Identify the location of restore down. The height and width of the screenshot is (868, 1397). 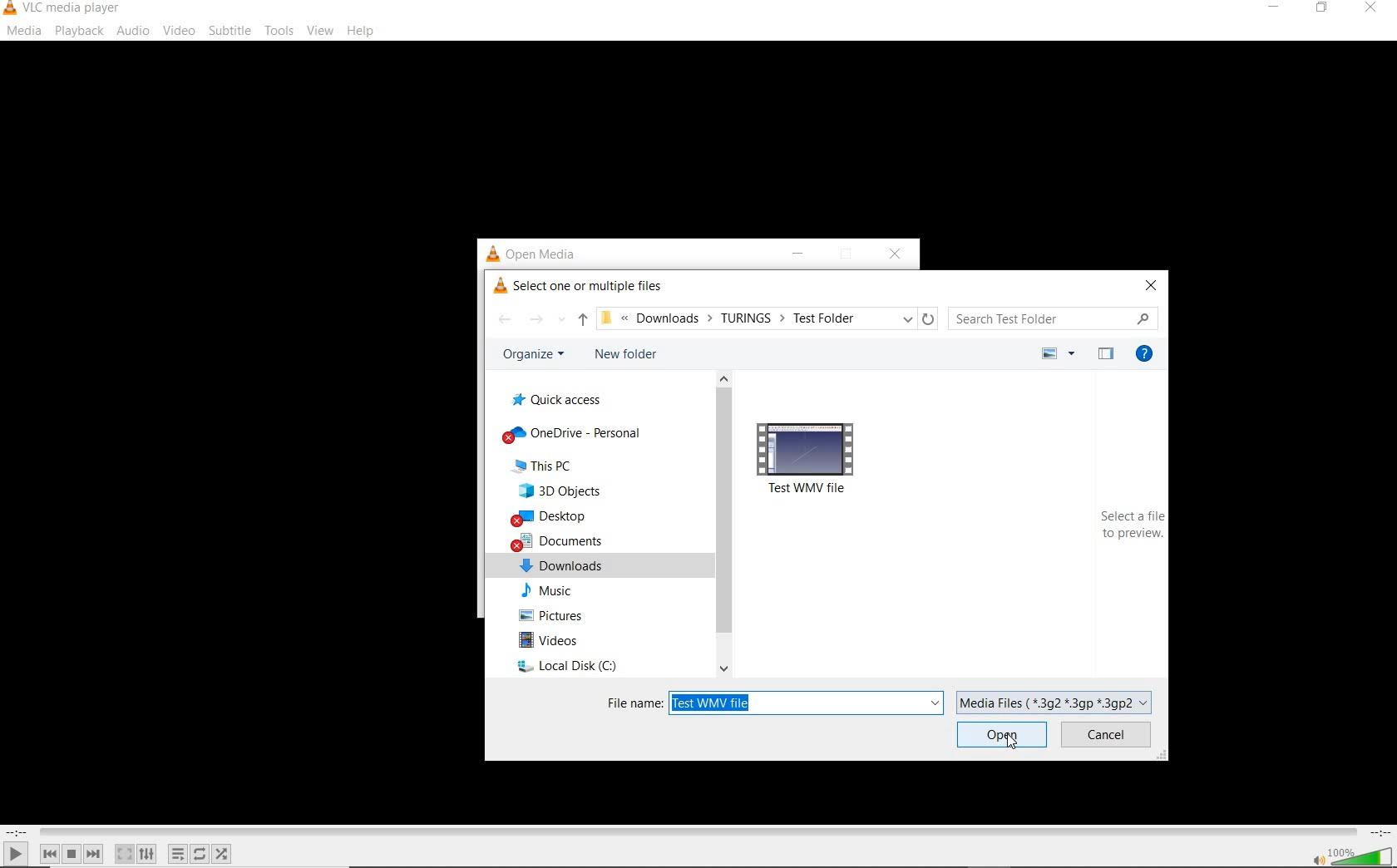
(1325, 8).